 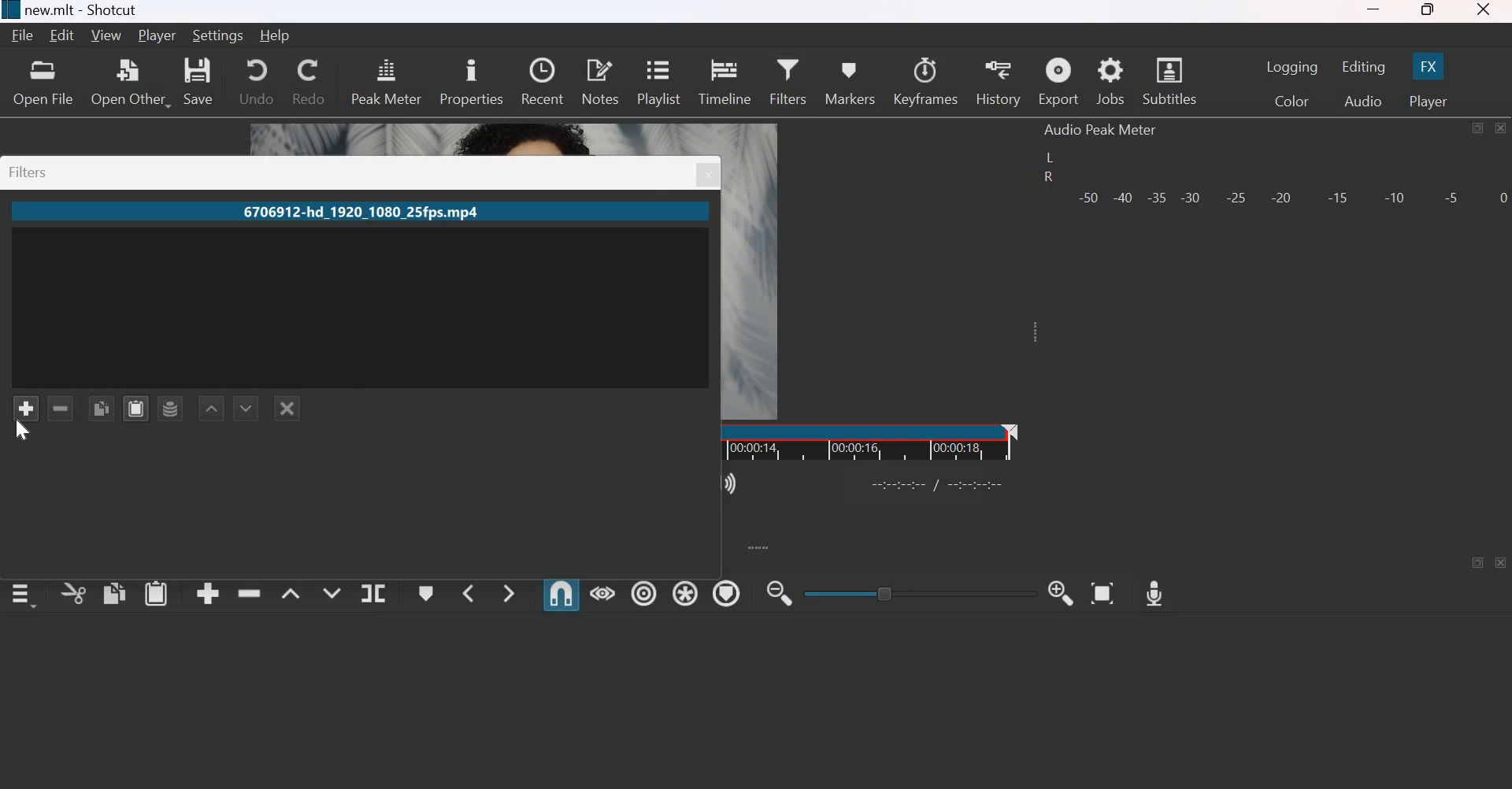 What do you see at coordinates (219, 35) in the screenshot?
I see `Settings` at bounding box center [219, 35].